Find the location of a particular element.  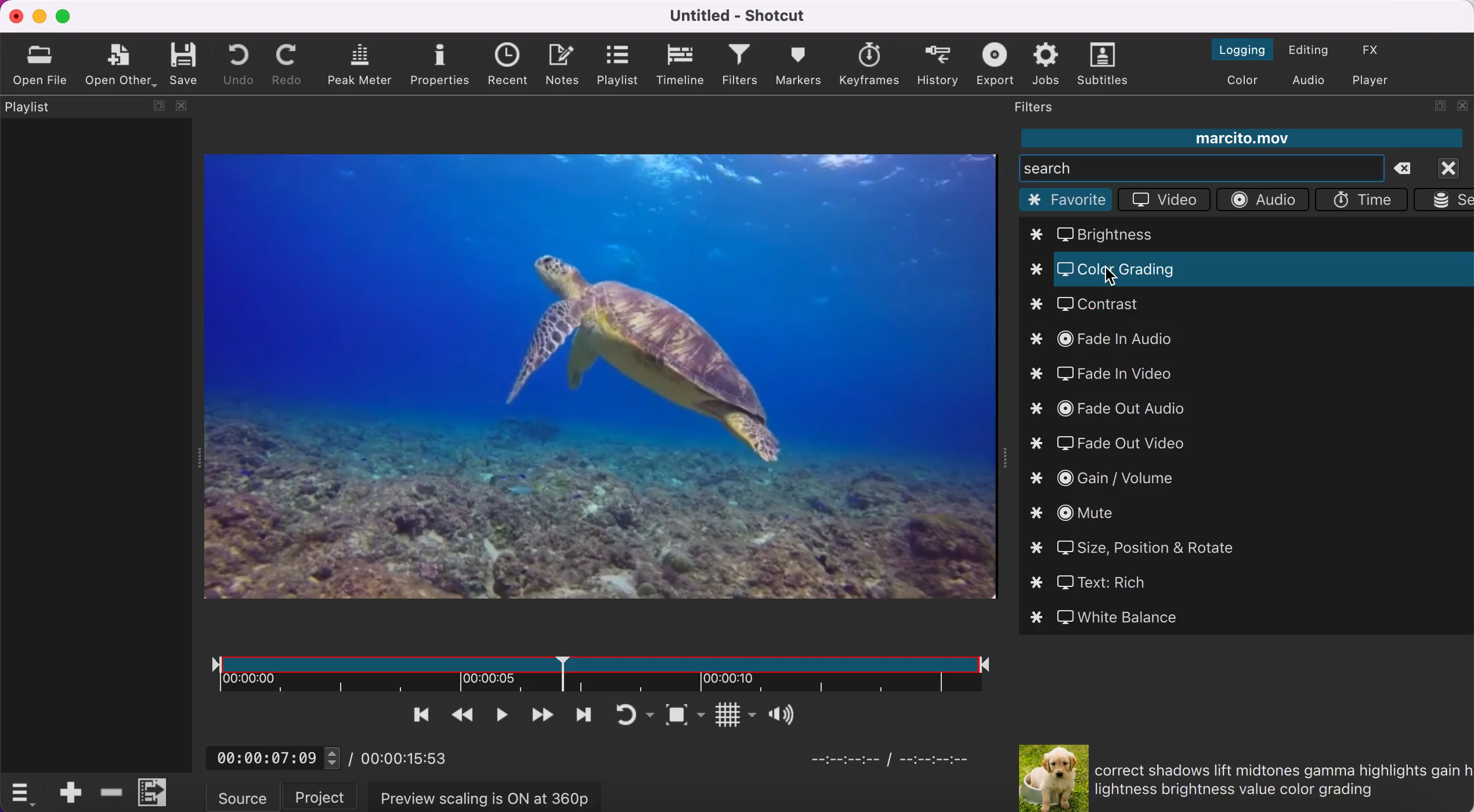

notes is located at coordinates (566, 66).